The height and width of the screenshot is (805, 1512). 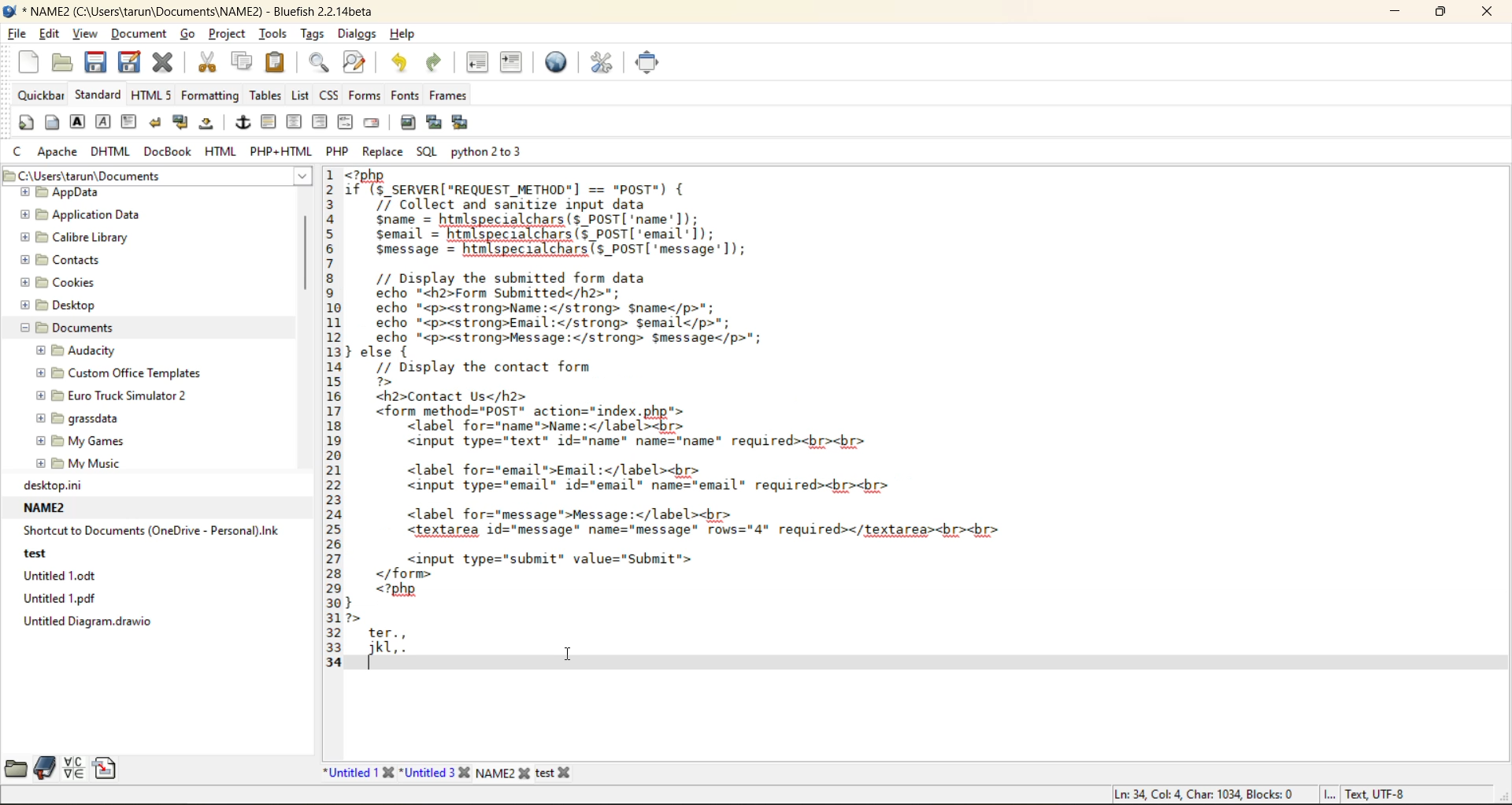 I want to click on center, so click(x=296, y=124).